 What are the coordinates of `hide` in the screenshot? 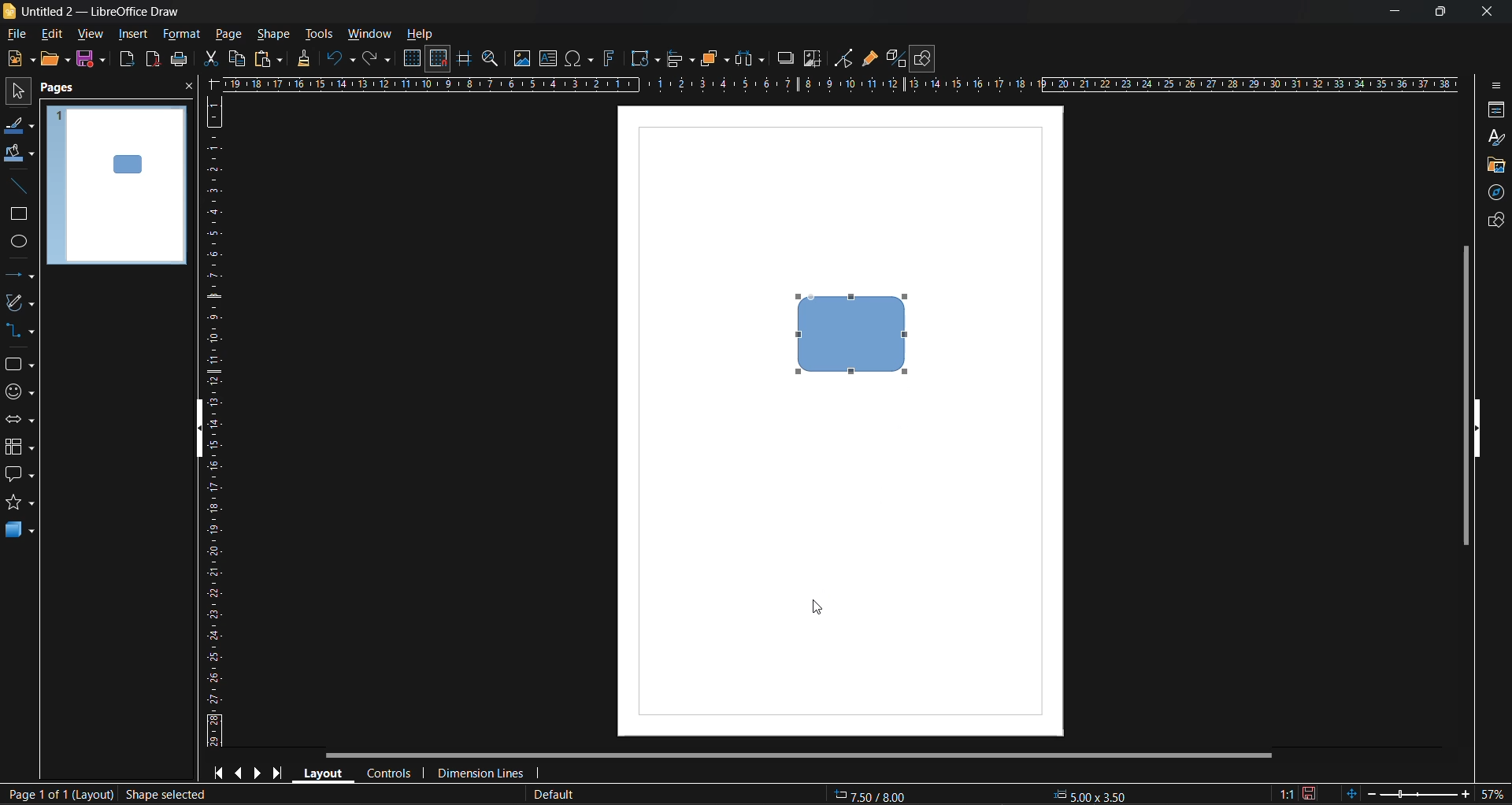 It's located at (202, 432).